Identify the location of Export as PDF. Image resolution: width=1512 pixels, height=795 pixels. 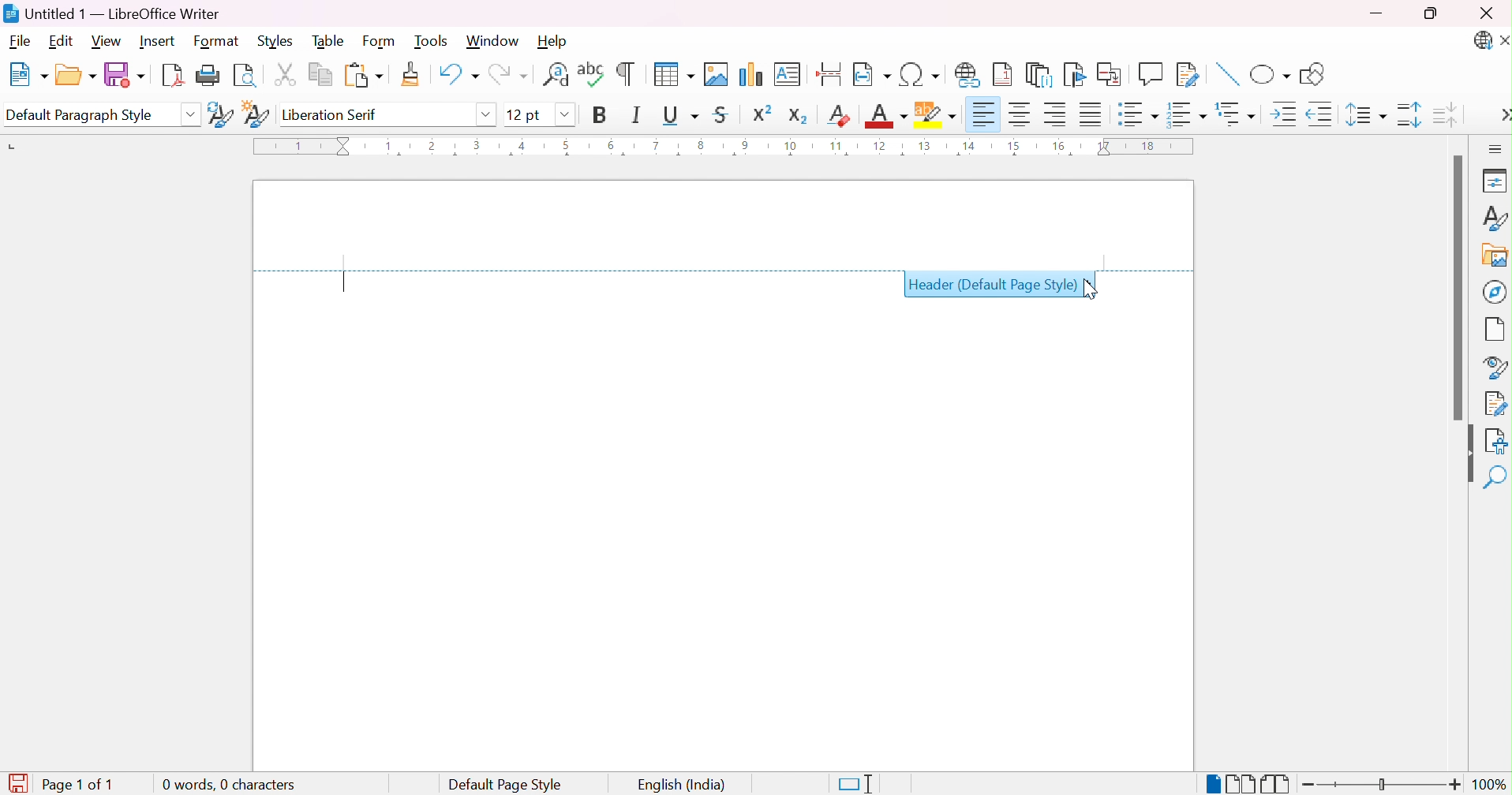
(175, 77).